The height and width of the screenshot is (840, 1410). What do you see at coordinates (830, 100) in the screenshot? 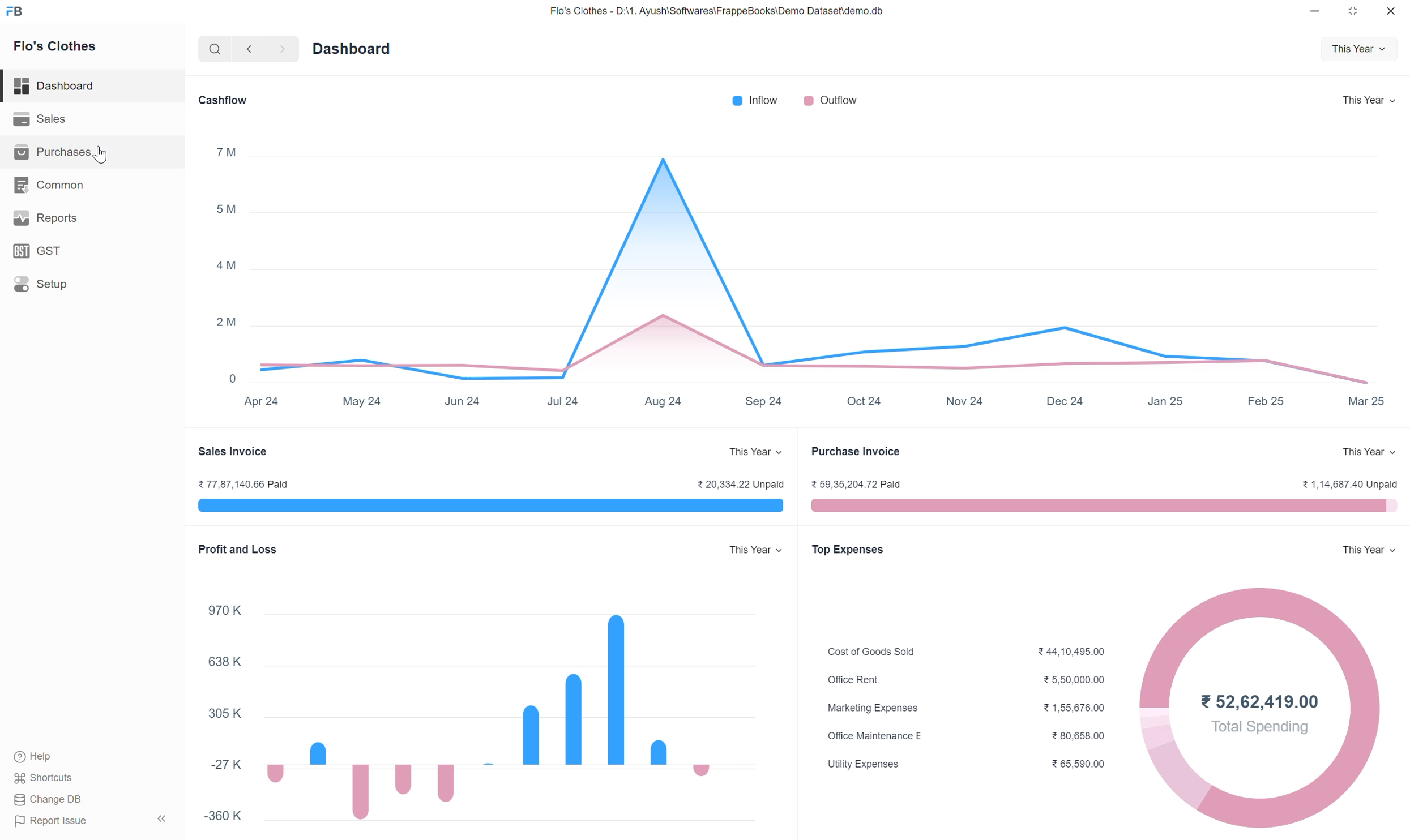
I see `outflow` at bounding box center [830, 100].